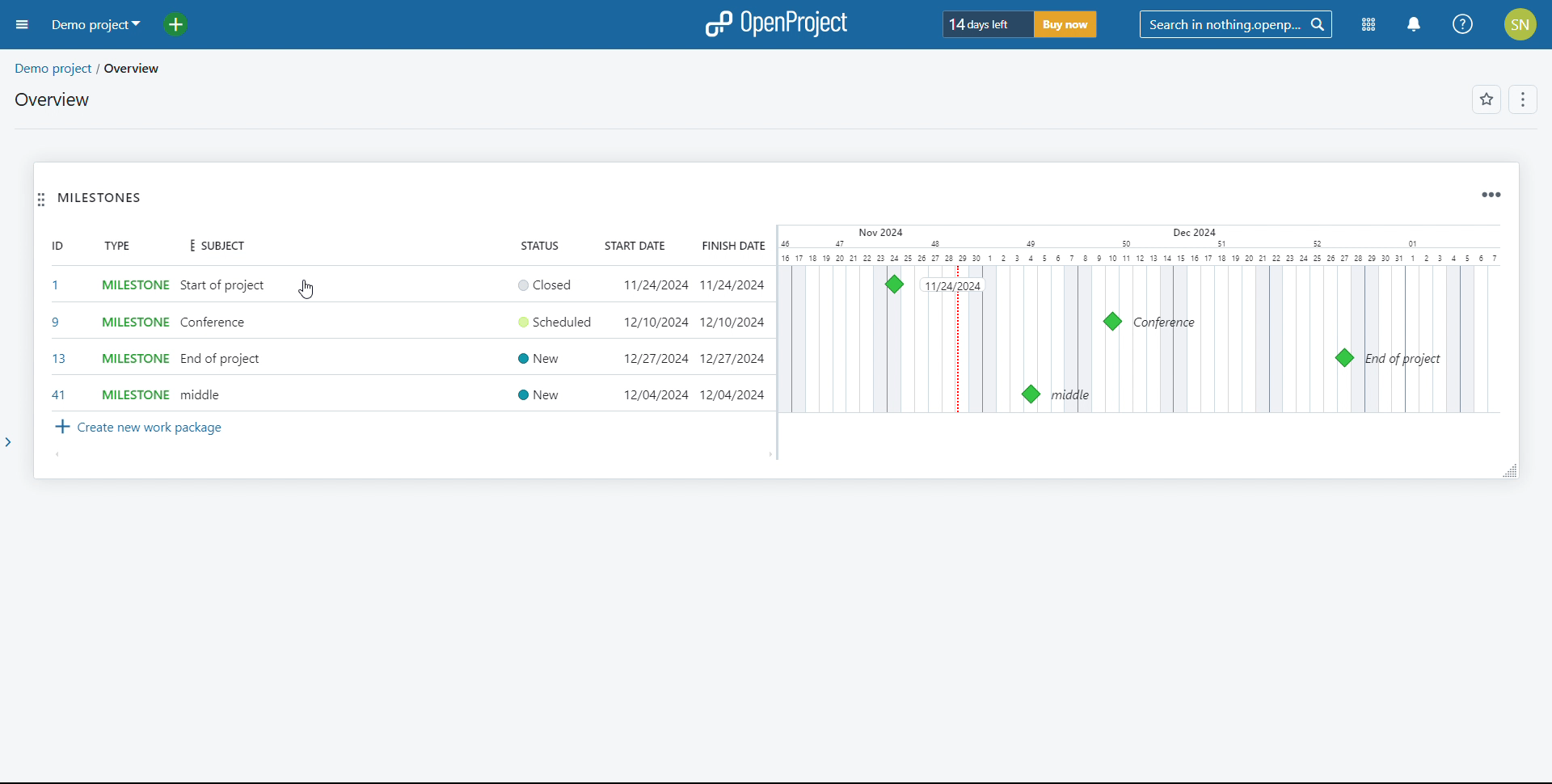 The image size is (1552, 784). I want to click on days left of trial, so click(982, 23).